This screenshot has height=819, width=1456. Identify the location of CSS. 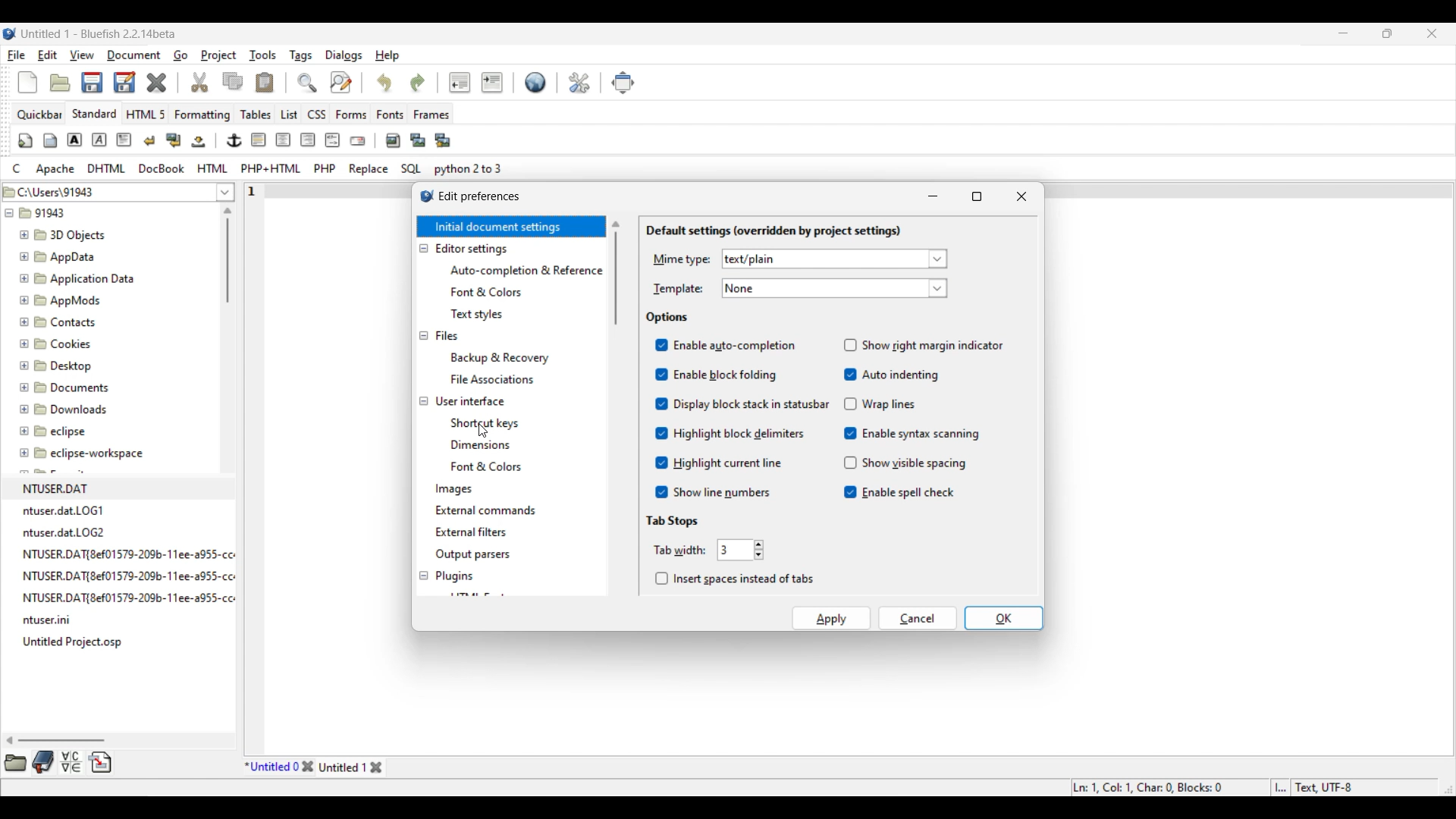
(318, 114).